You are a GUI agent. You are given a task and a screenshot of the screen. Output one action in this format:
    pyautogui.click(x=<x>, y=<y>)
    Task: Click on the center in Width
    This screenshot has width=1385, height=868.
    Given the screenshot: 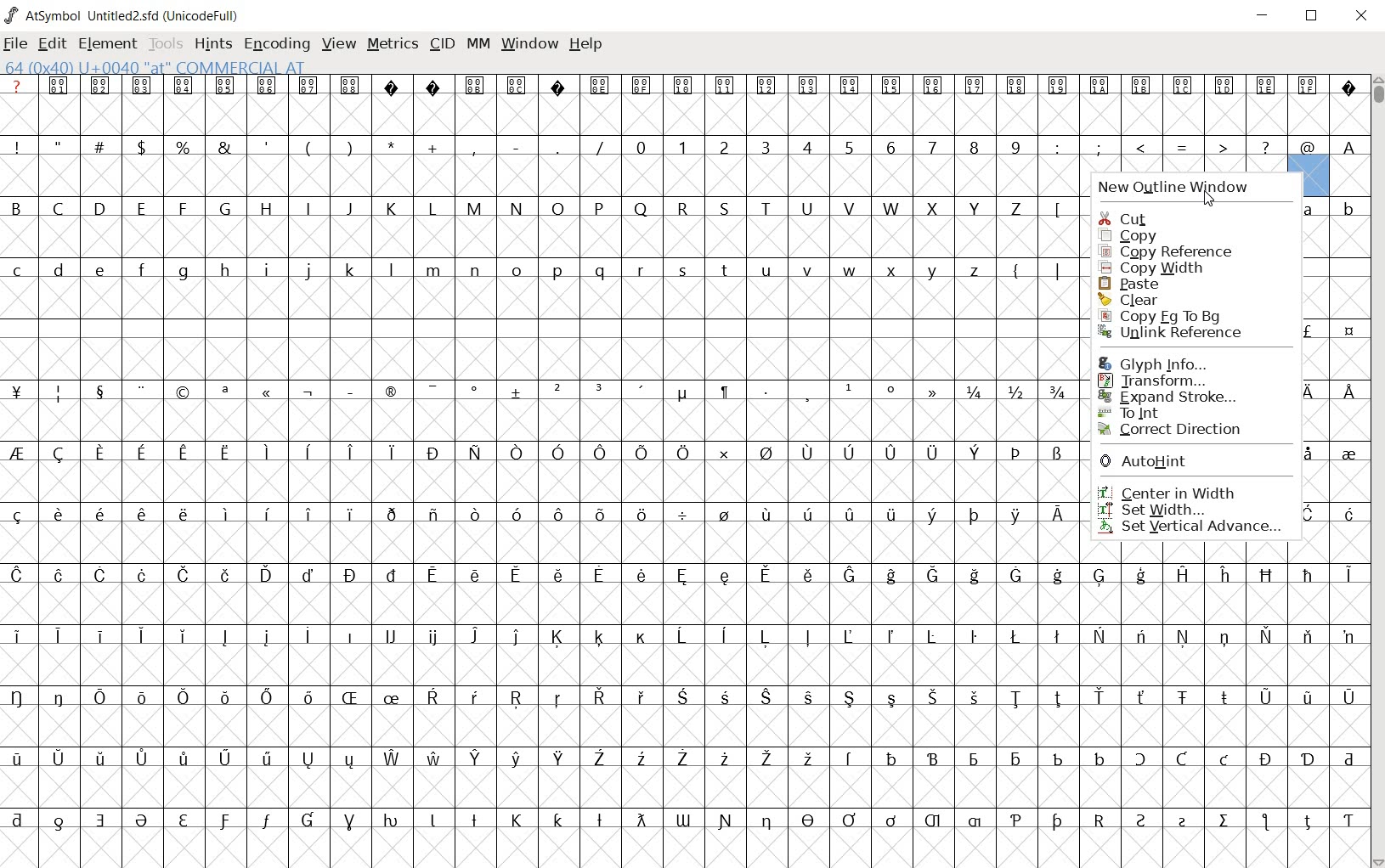 What is the action you would take?
    pyautogui.click(x=1169, y=490)
    